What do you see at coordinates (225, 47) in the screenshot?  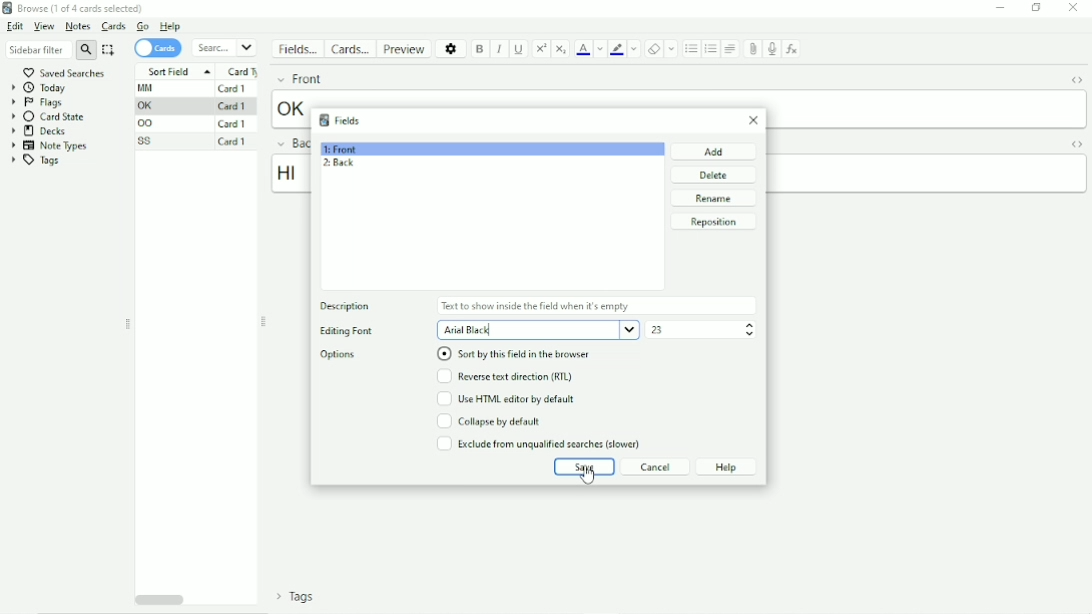 I see `Search` at bounding box center [225, 47].